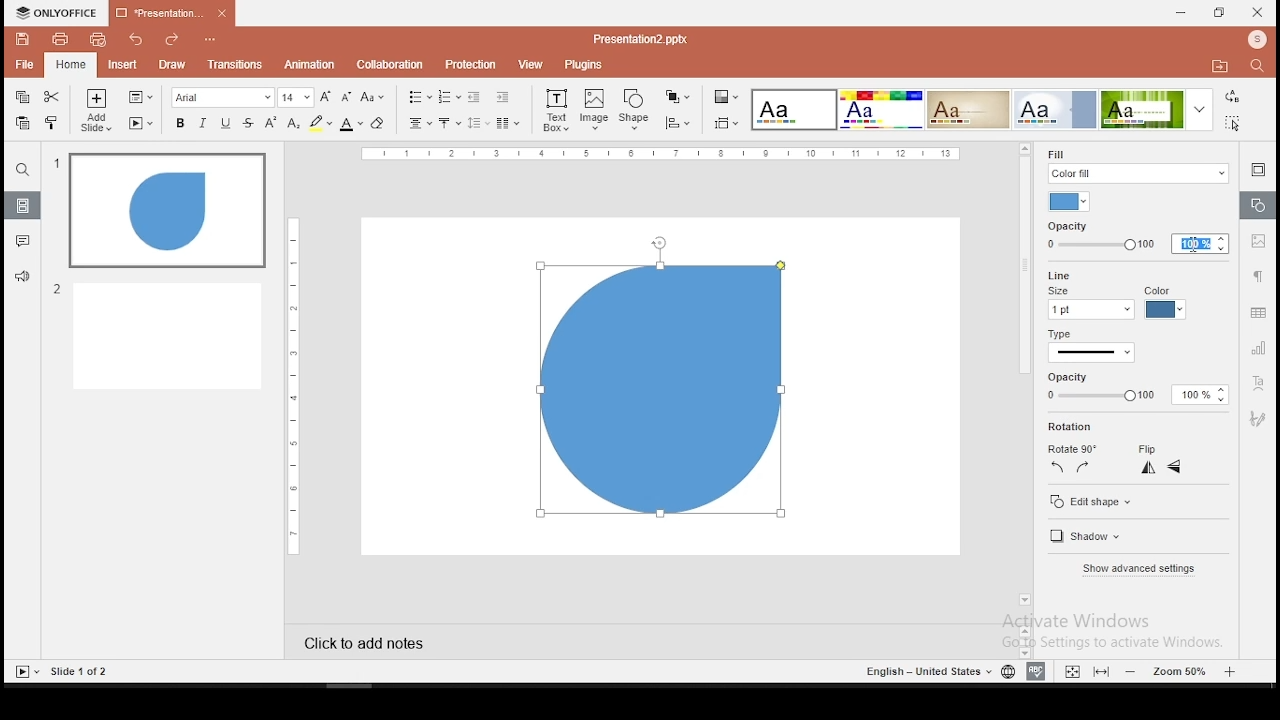  What do you see at coordinates (677, 123) in the screenshot?
I see `align objects` at bounding box center [677, 123].